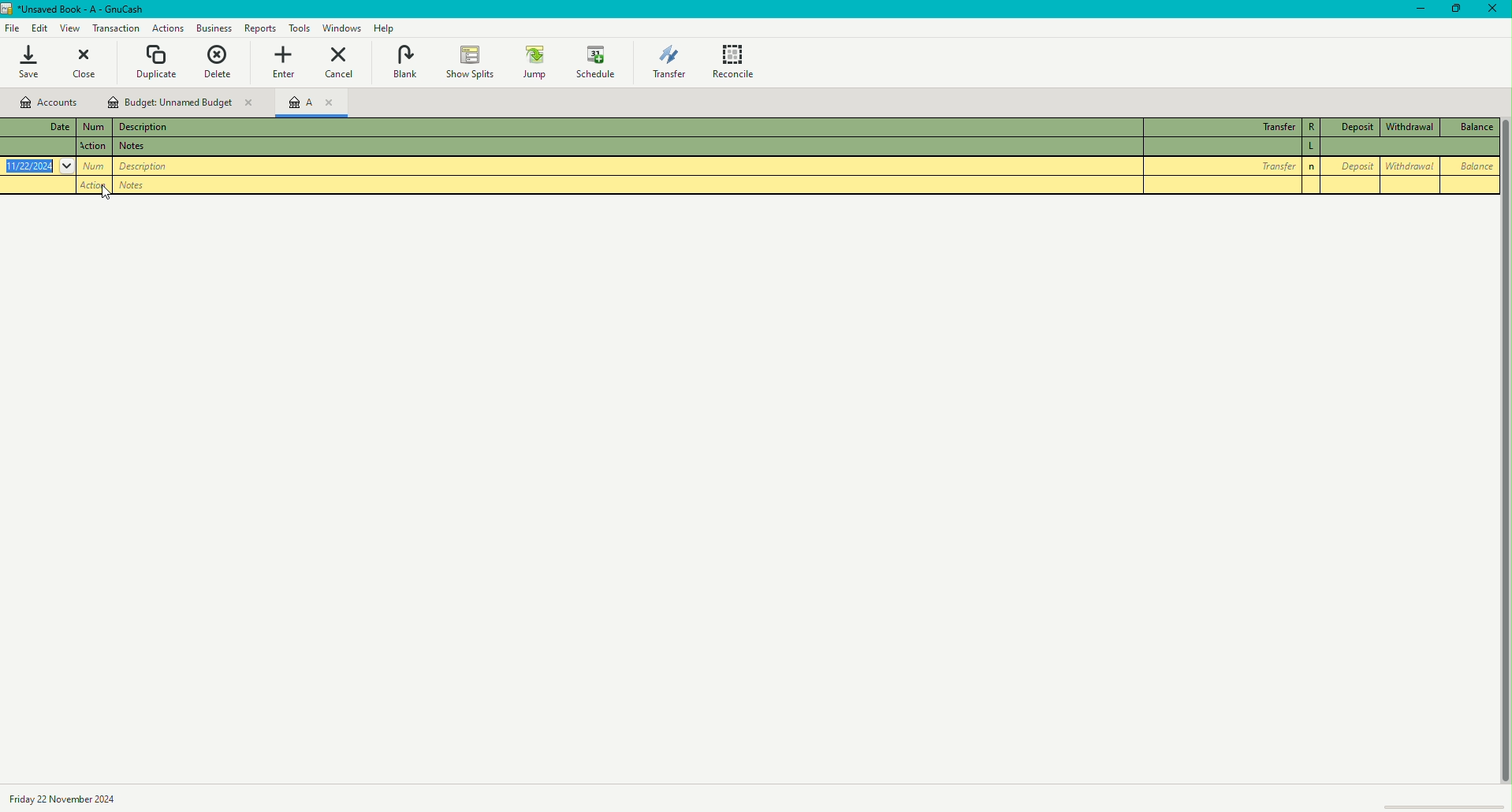 The width and height of the screenshot is (1512, 812). Describe the element at coordinates (181, 102) in the screenshot. I see `Budget - Unnamed Budget` at that location.